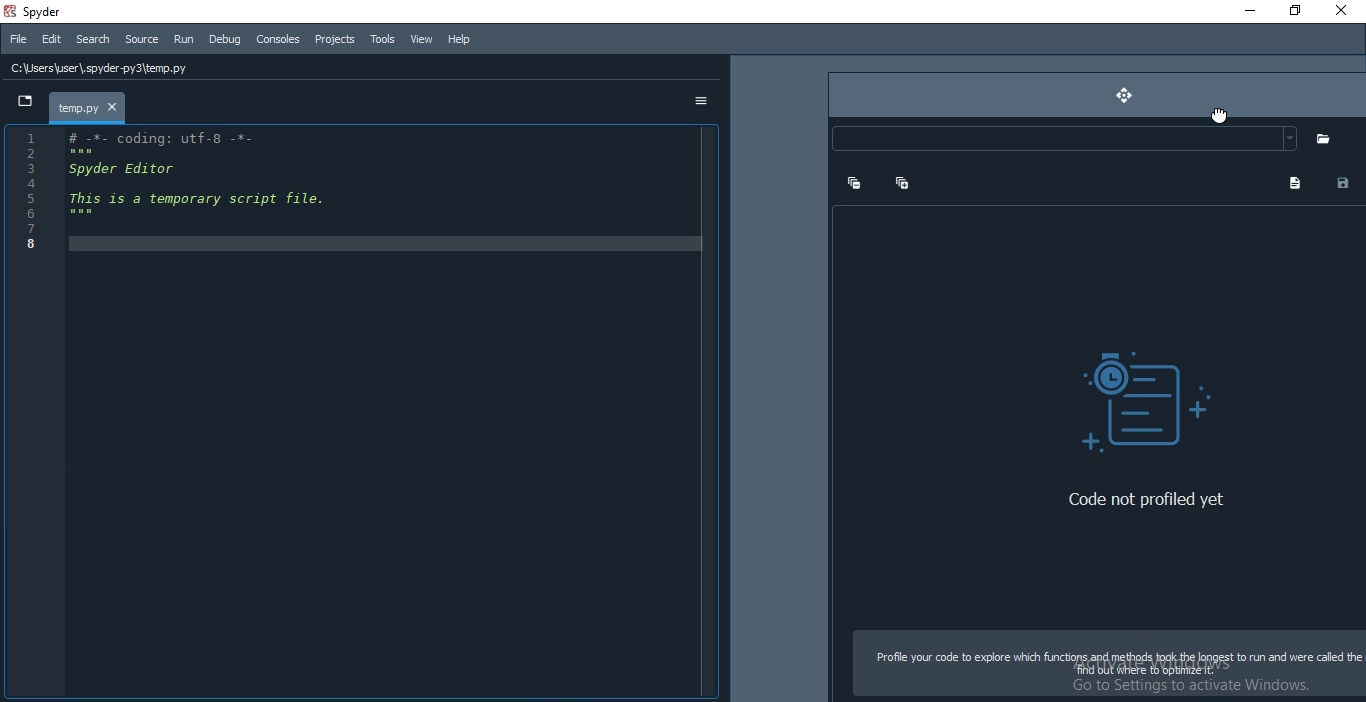  Describe the element at coordinates (1097, 95) in the screenshot. I see `move button` at that location.